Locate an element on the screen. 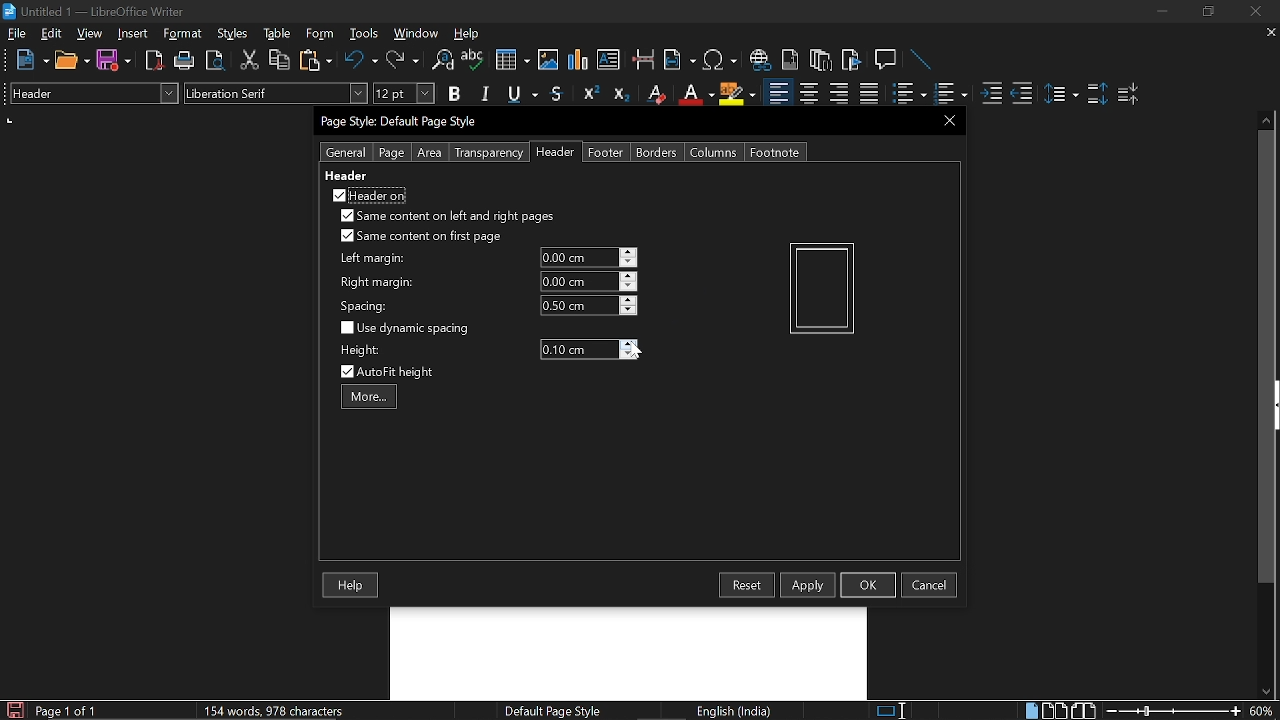 The height and width of the screenshot is (720, 1280). more is located at coordinates (369, 396).